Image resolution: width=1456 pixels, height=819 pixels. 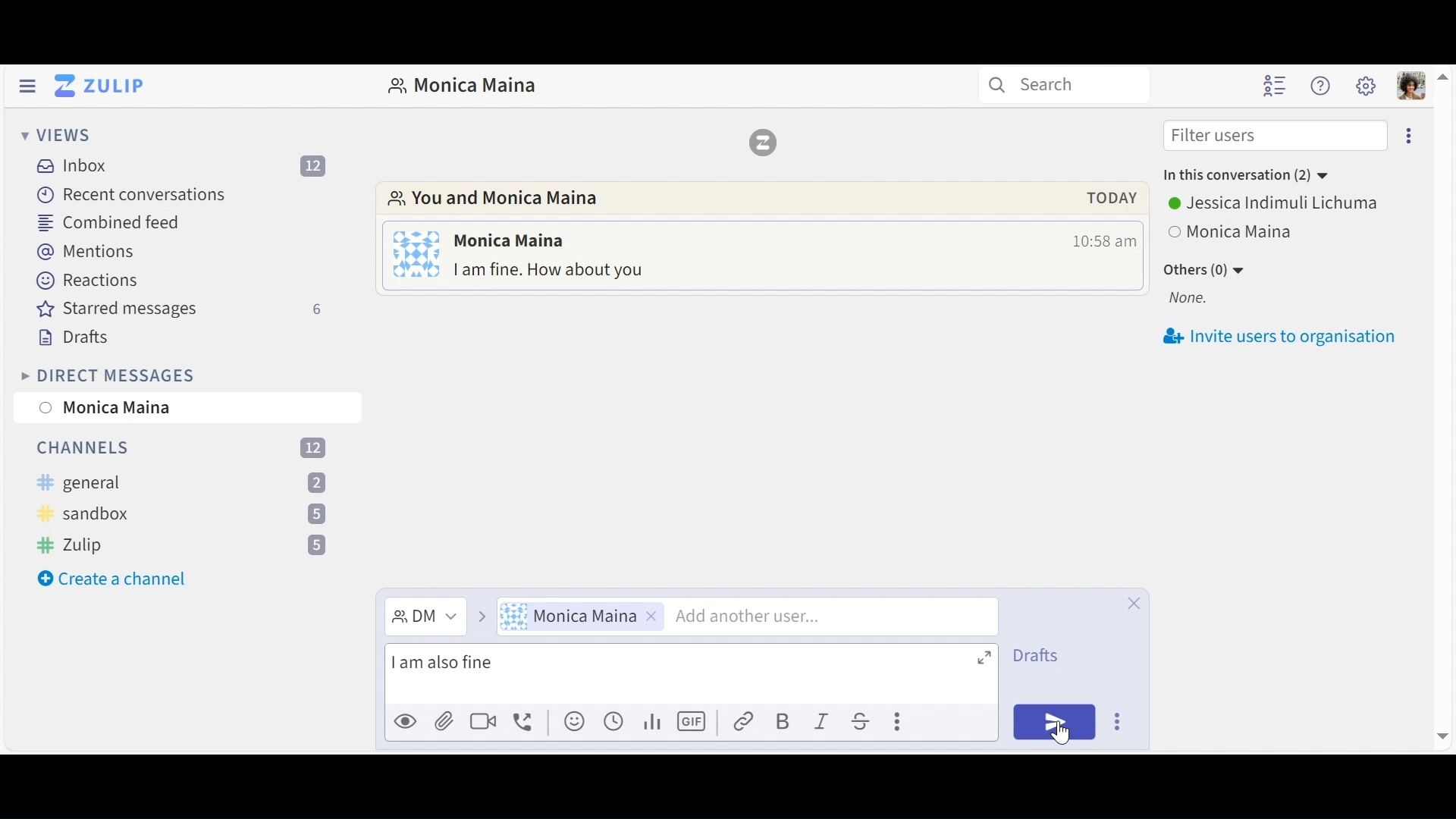 What do you see at coordinates (1411, 85) in the screenshot?
I see `Personal user` at bounding box center [1411, 85].